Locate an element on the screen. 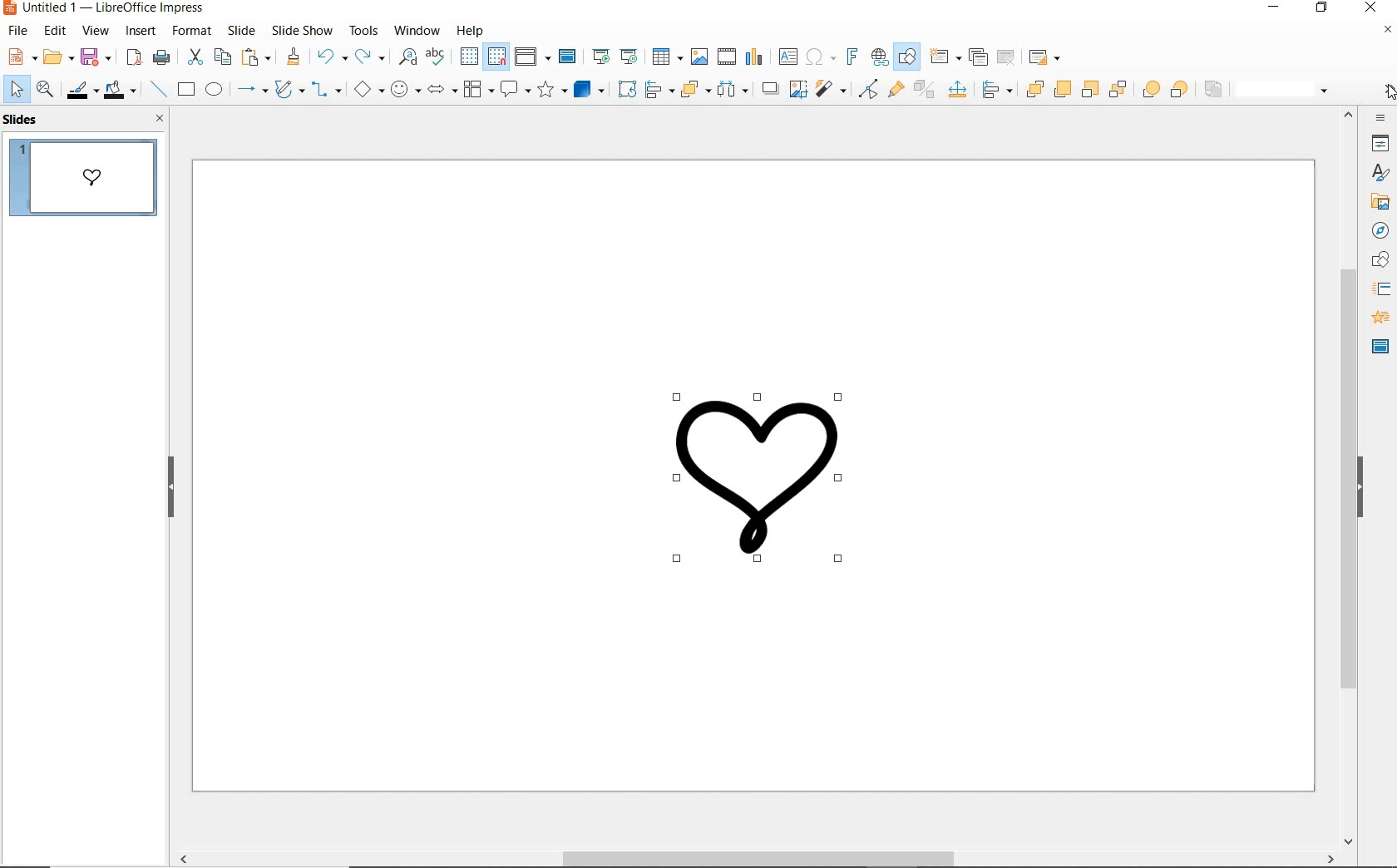 This screenshot has width=1397, height=868. bring to front is located at coordinates (1033, 86).